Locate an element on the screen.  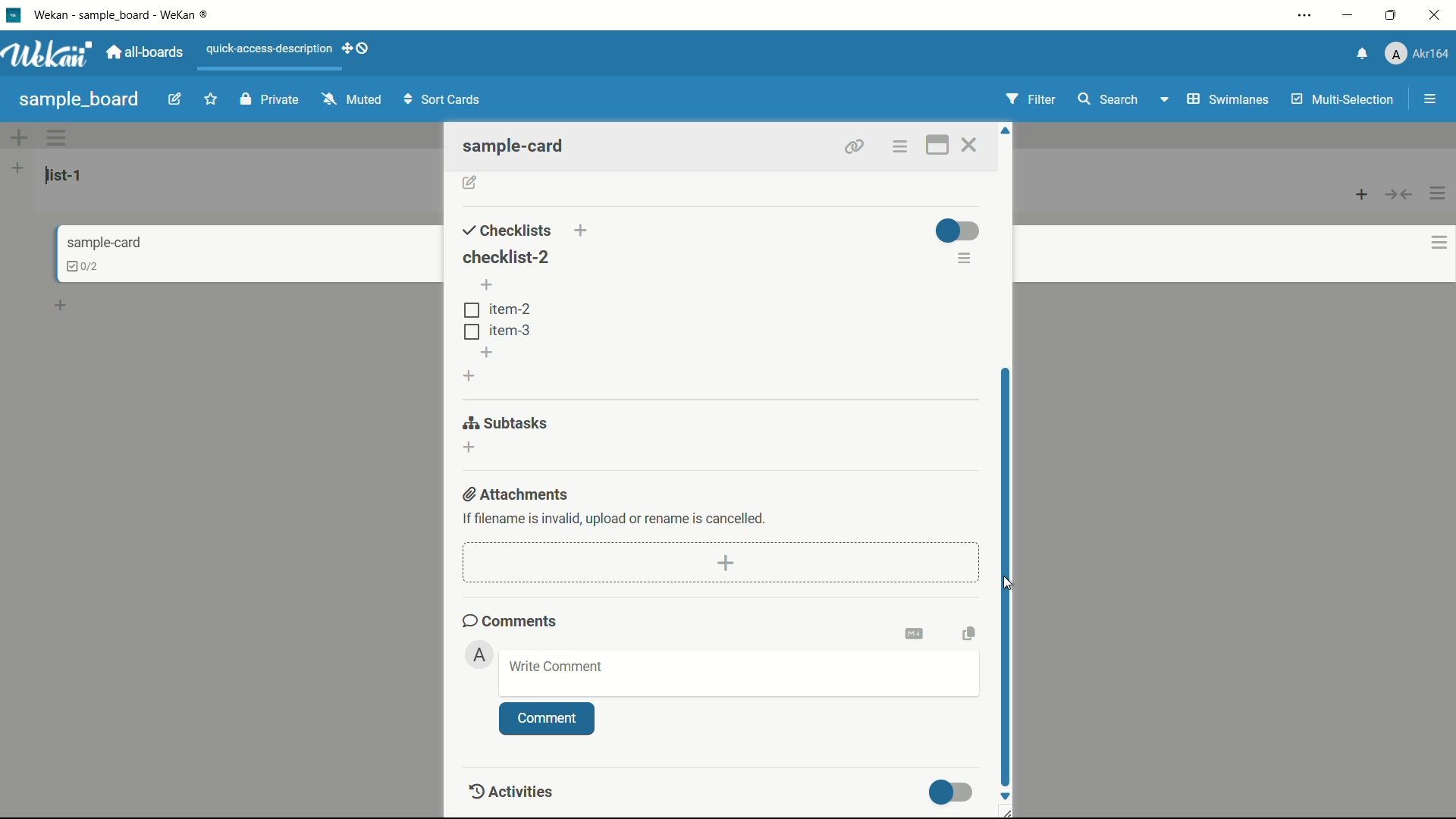
list actions is located at coordinates (1439, 193).